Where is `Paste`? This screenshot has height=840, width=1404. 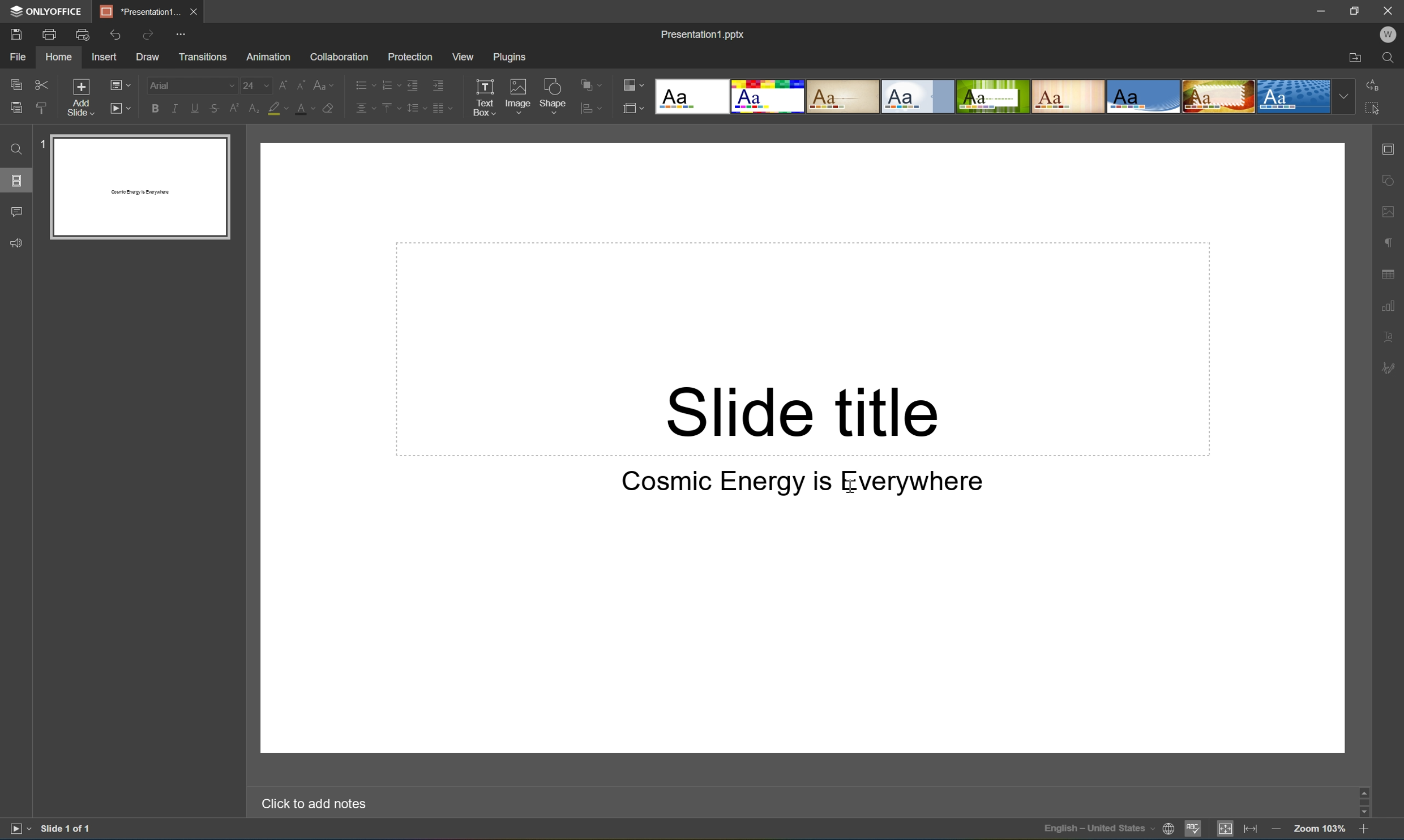 Paste is located at coordinates (13, 108).